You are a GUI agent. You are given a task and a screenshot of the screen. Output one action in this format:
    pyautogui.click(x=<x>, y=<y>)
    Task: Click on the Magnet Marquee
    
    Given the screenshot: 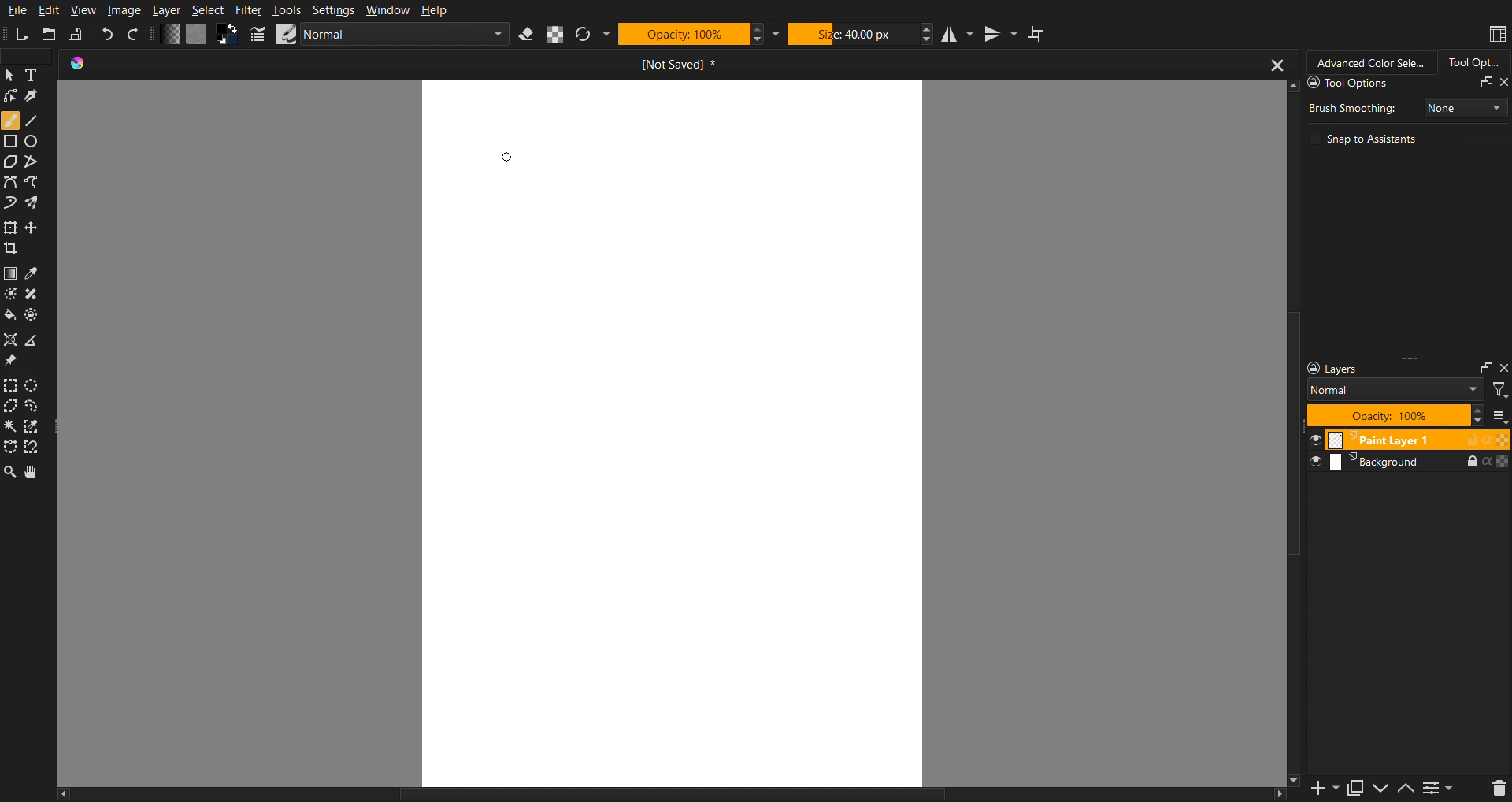 What is the action you would take?
    pyautogui.click(x=36, y=448)
    